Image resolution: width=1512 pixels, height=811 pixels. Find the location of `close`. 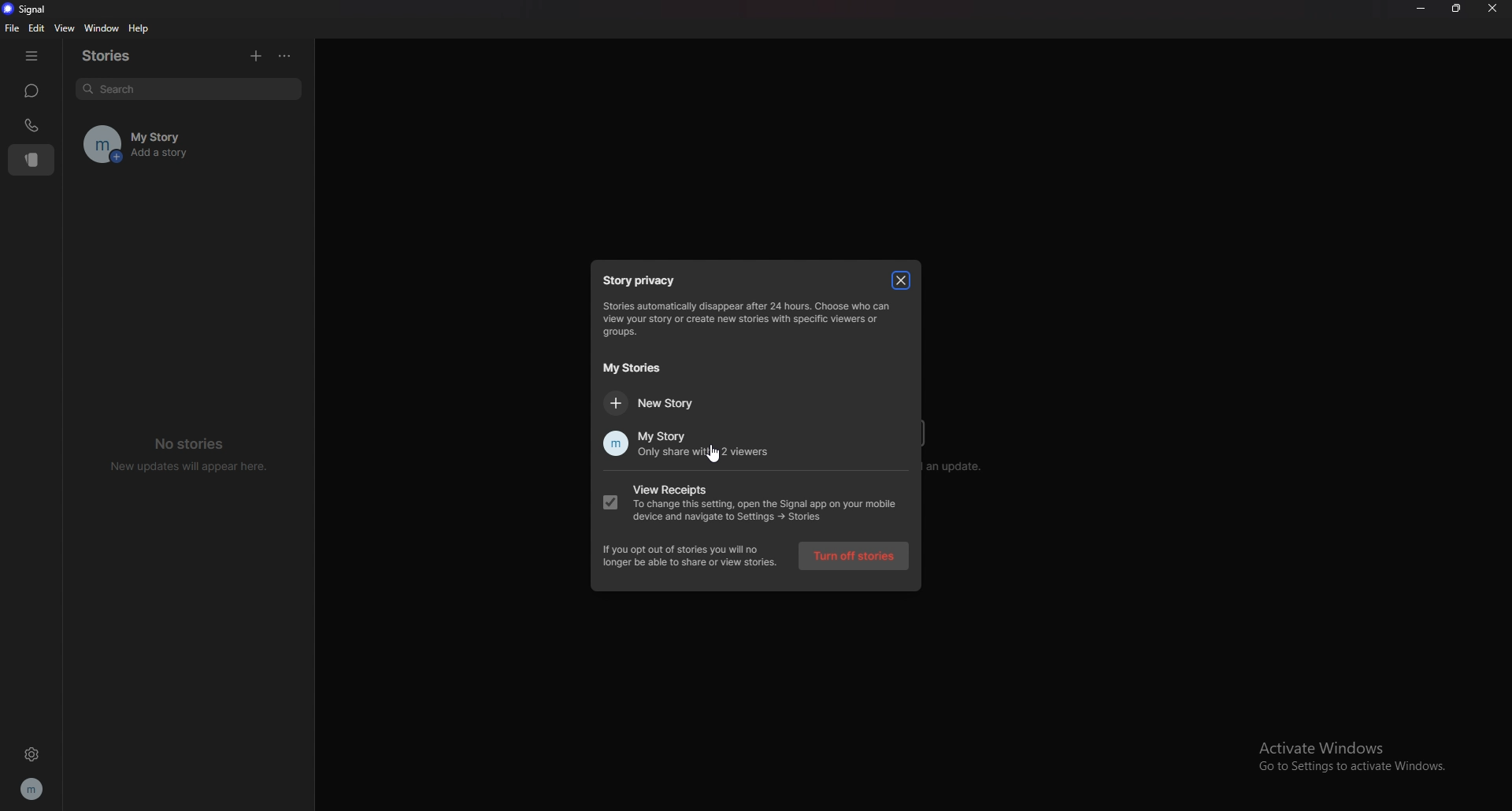

close is located at coordinates (900, 280).